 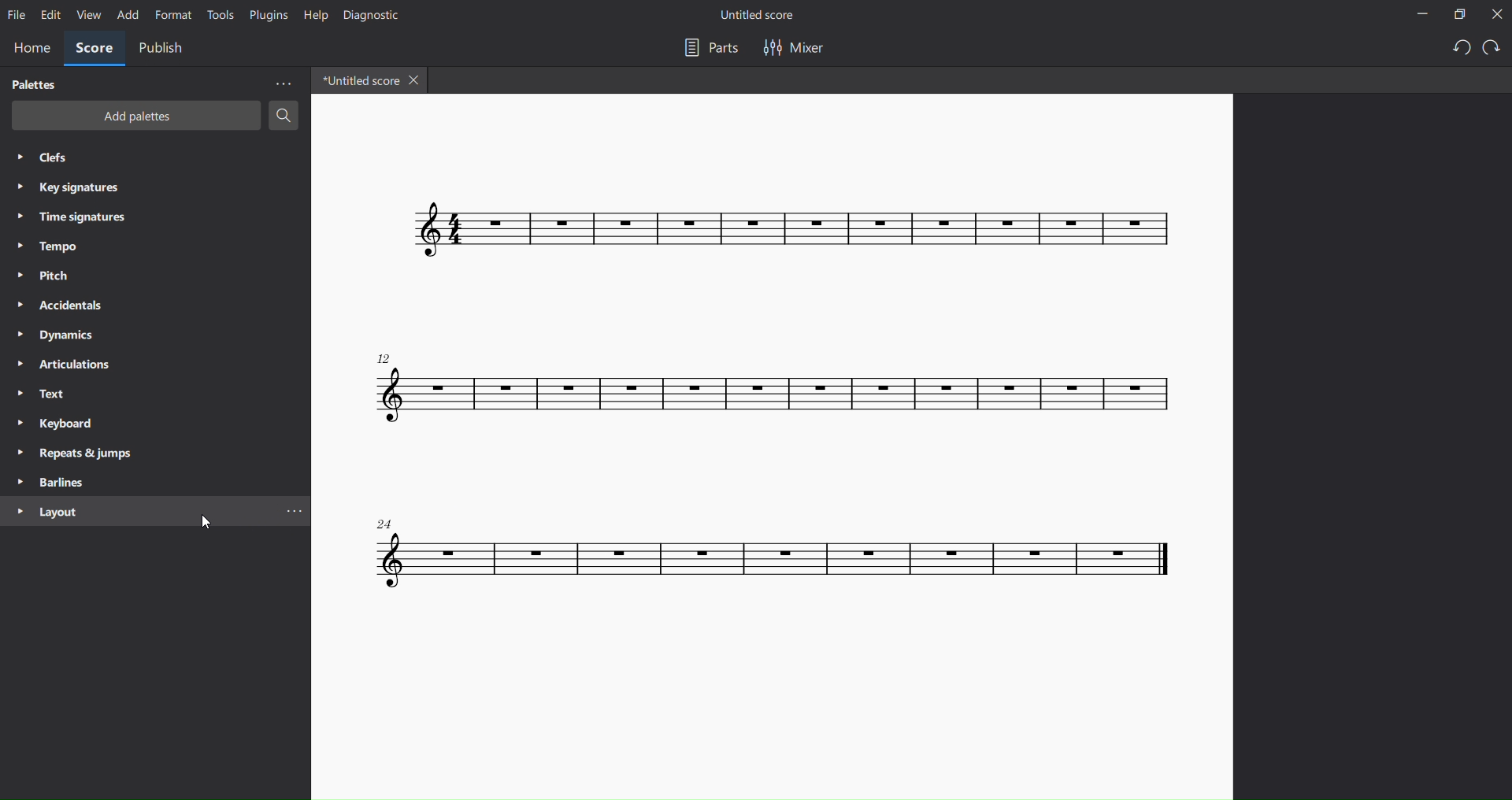 I want to click on diagnostic, so click(x=369, y=15).